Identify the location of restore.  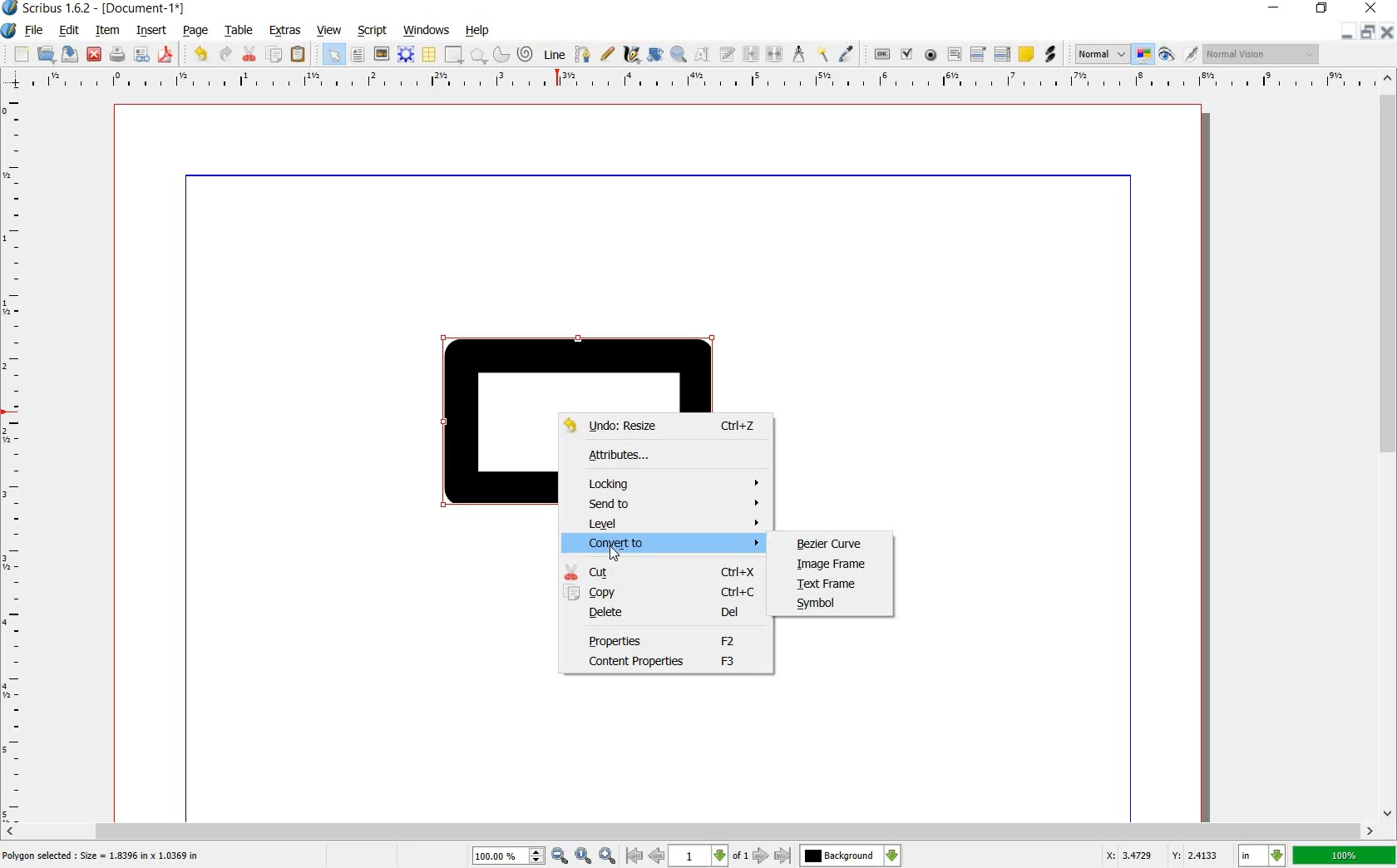
(1322, 8).